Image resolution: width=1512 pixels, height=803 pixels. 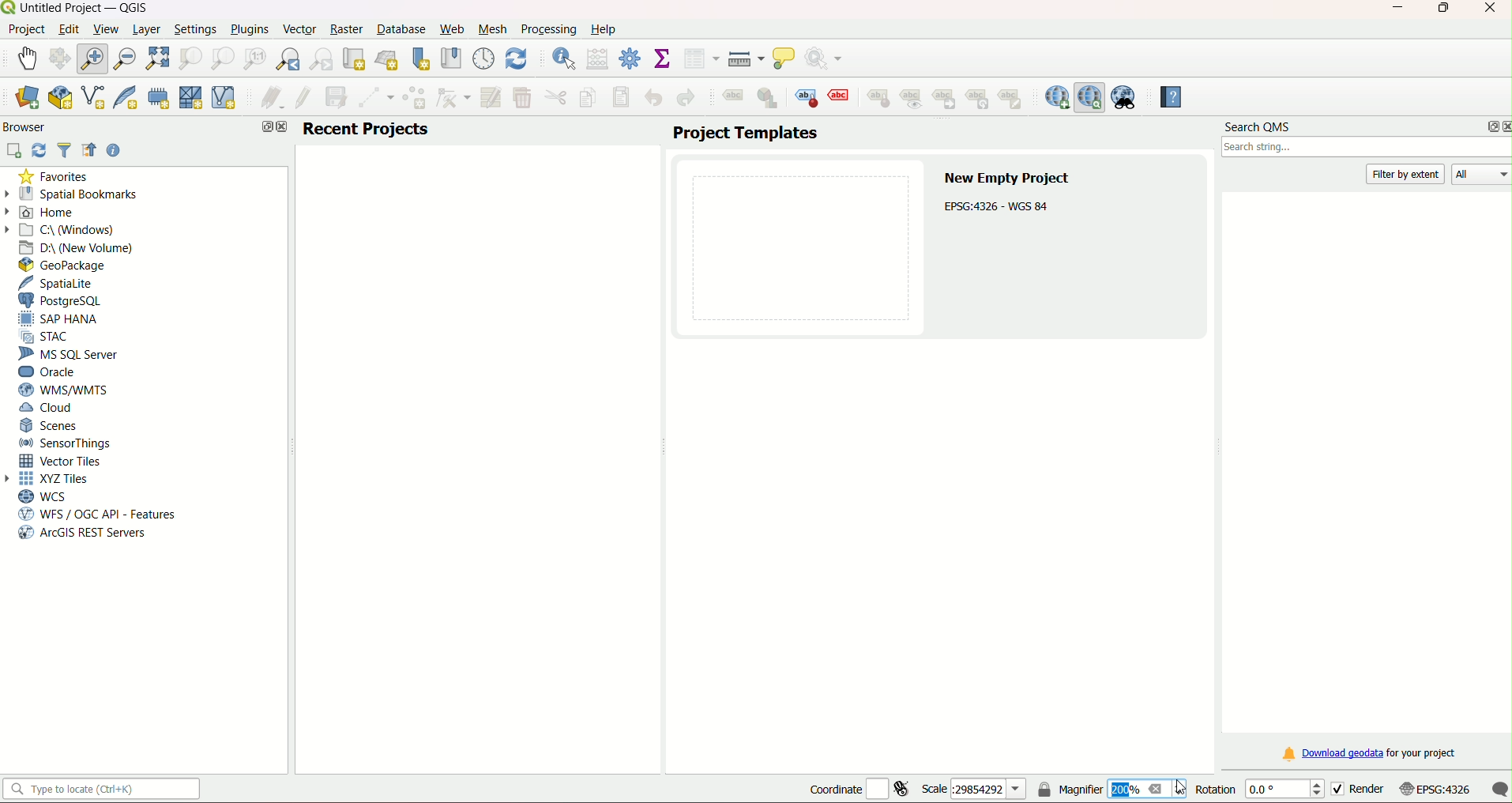 I want to click on zoom to navigate resolution, so click(x=253, y=59).